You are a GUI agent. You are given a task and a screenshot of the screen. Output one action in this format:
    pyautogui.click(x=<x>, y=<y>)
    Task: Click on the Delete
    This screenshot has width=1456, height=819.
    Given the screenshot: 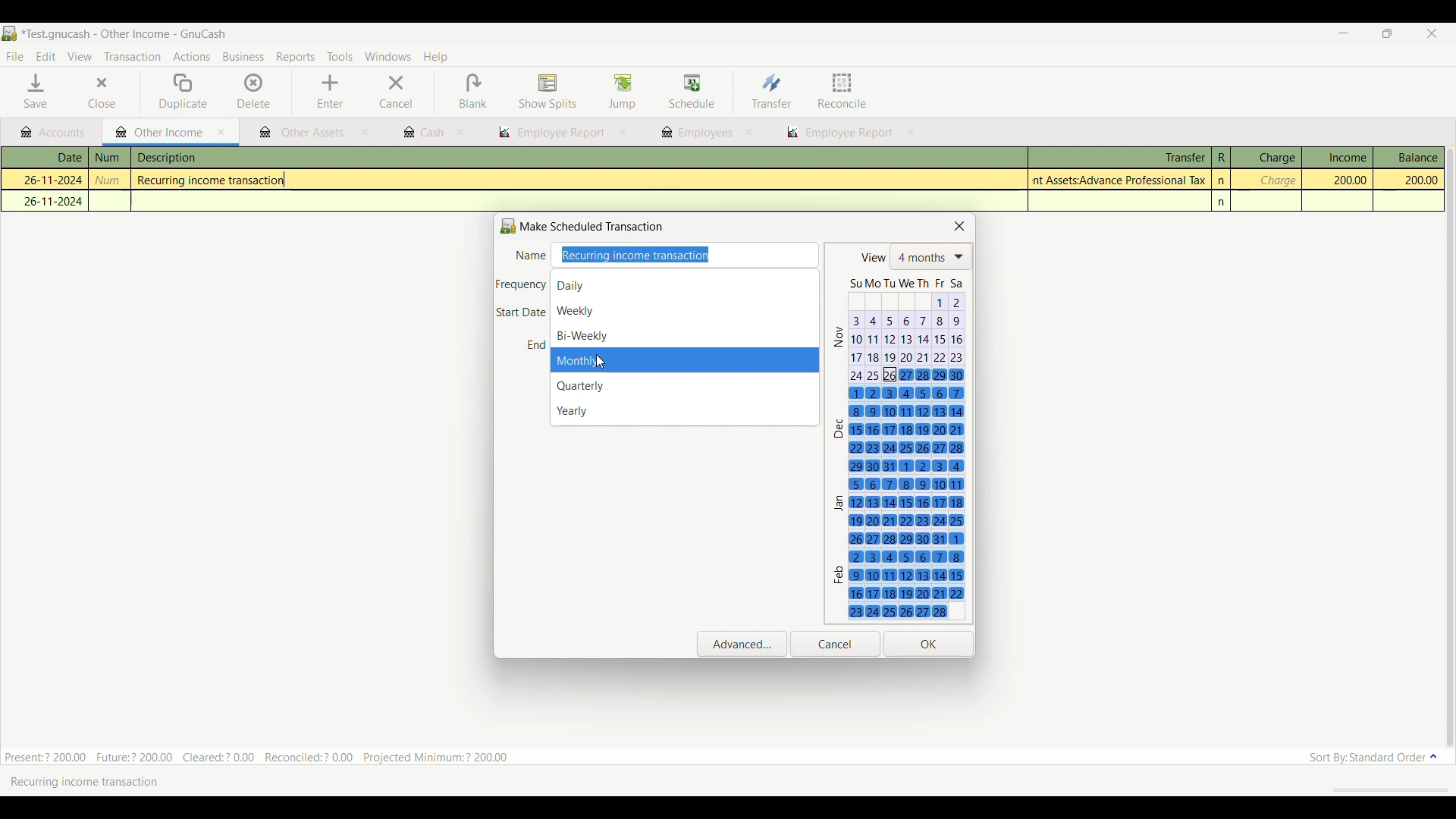 What is the action you would take?
    pyautogui.click(x=254, y=90)
    